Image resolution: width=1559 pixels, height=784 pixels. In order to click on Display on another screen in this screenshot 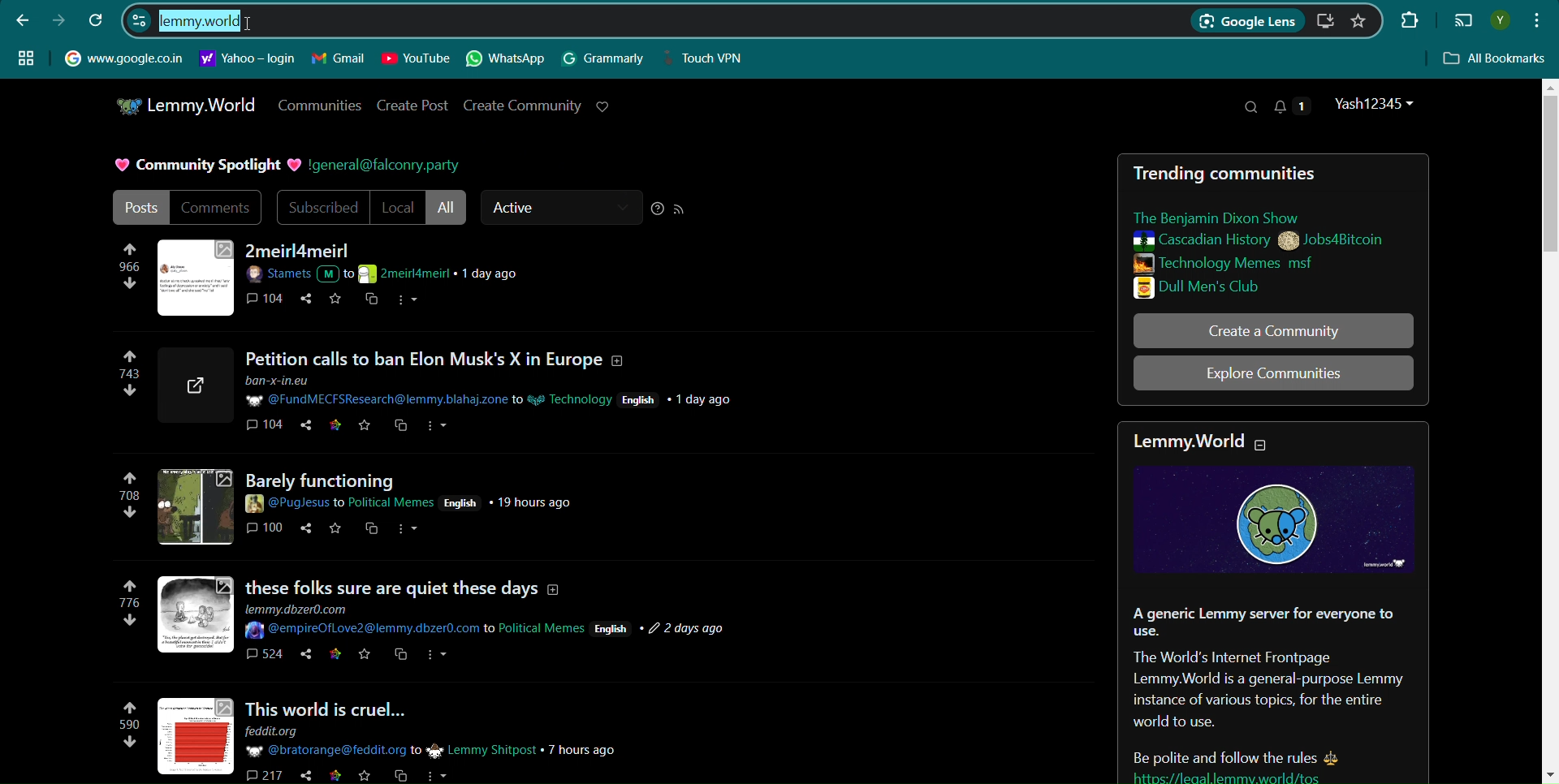, I will do `click(1463, 21)`.